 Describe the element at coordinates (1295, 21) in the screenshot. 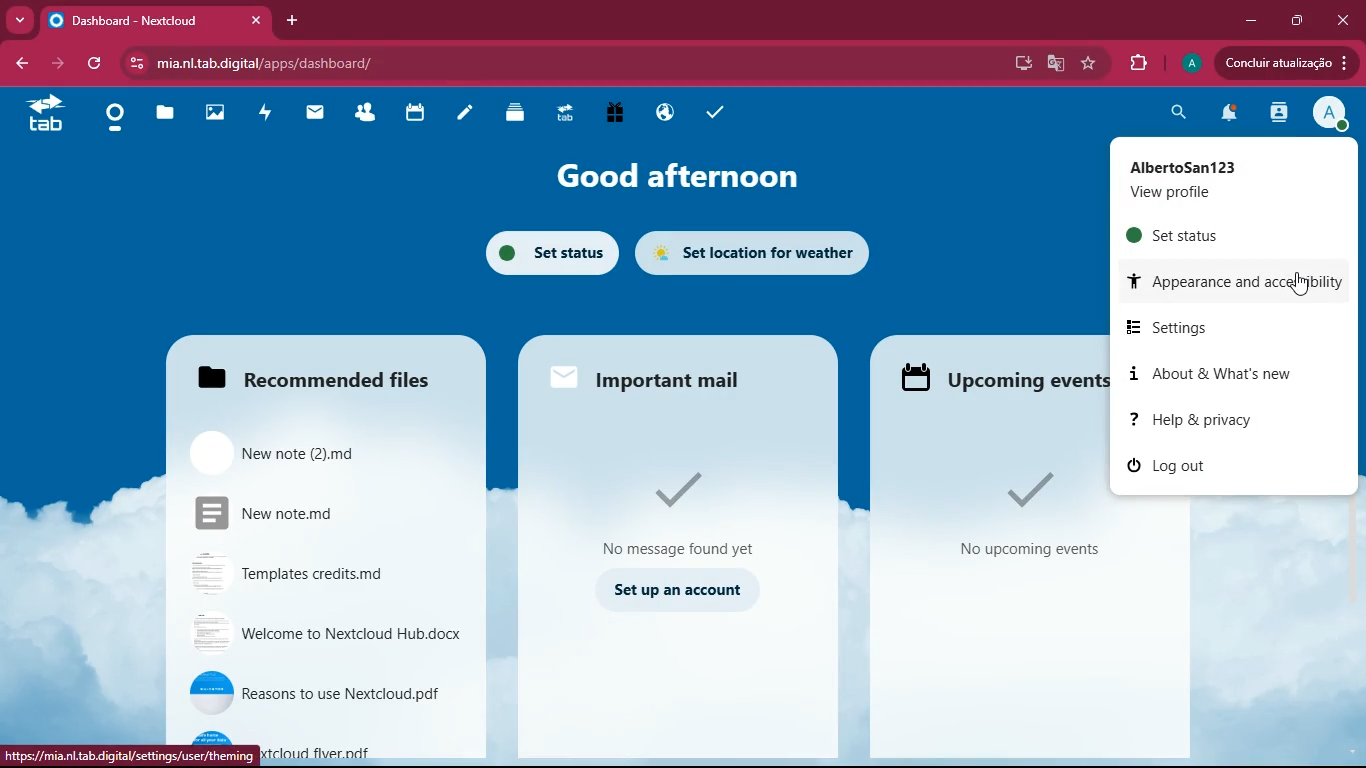

I see `maximize` at that location.